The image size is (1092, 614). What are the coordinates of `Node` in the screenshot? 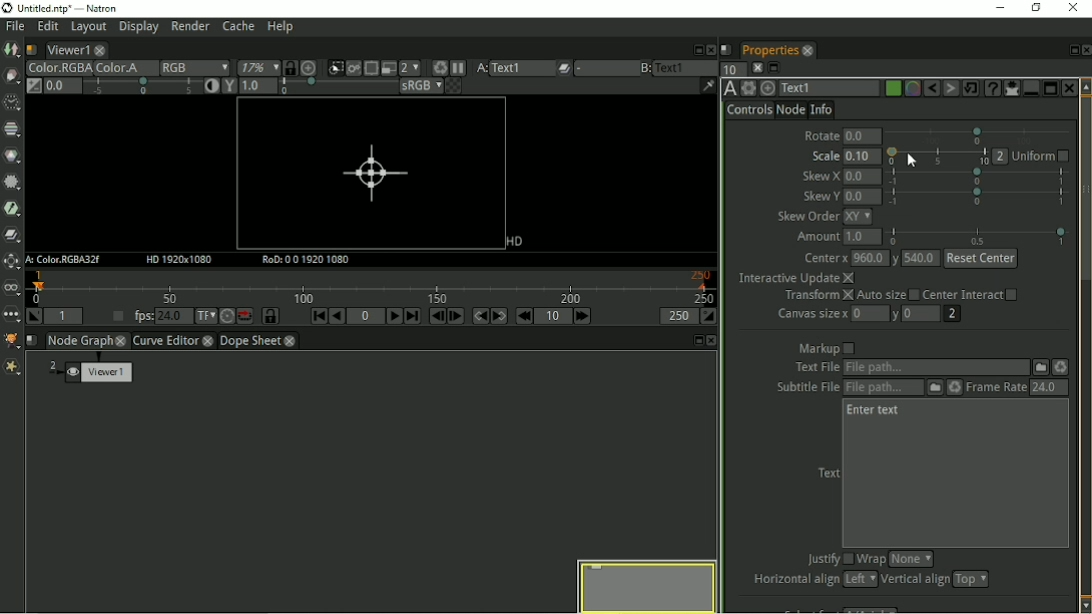 It's located at (791, 111).